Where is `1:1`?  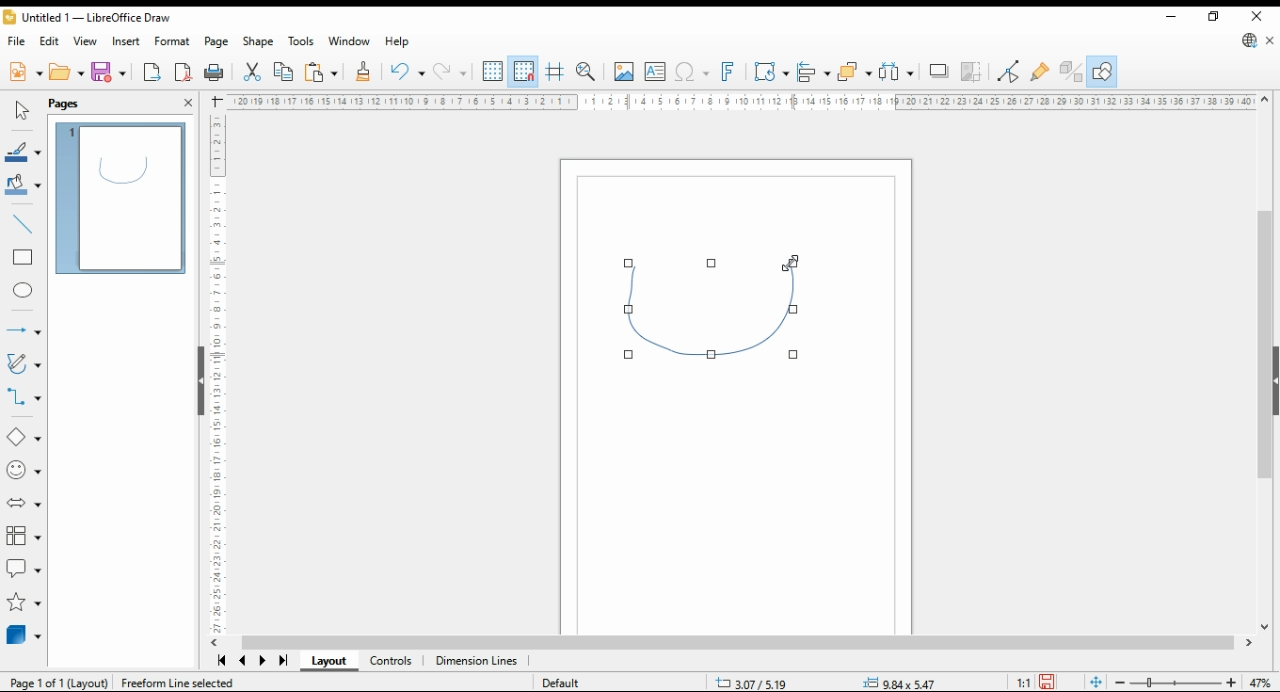 1:1 is located at coordinates (1022, 682).